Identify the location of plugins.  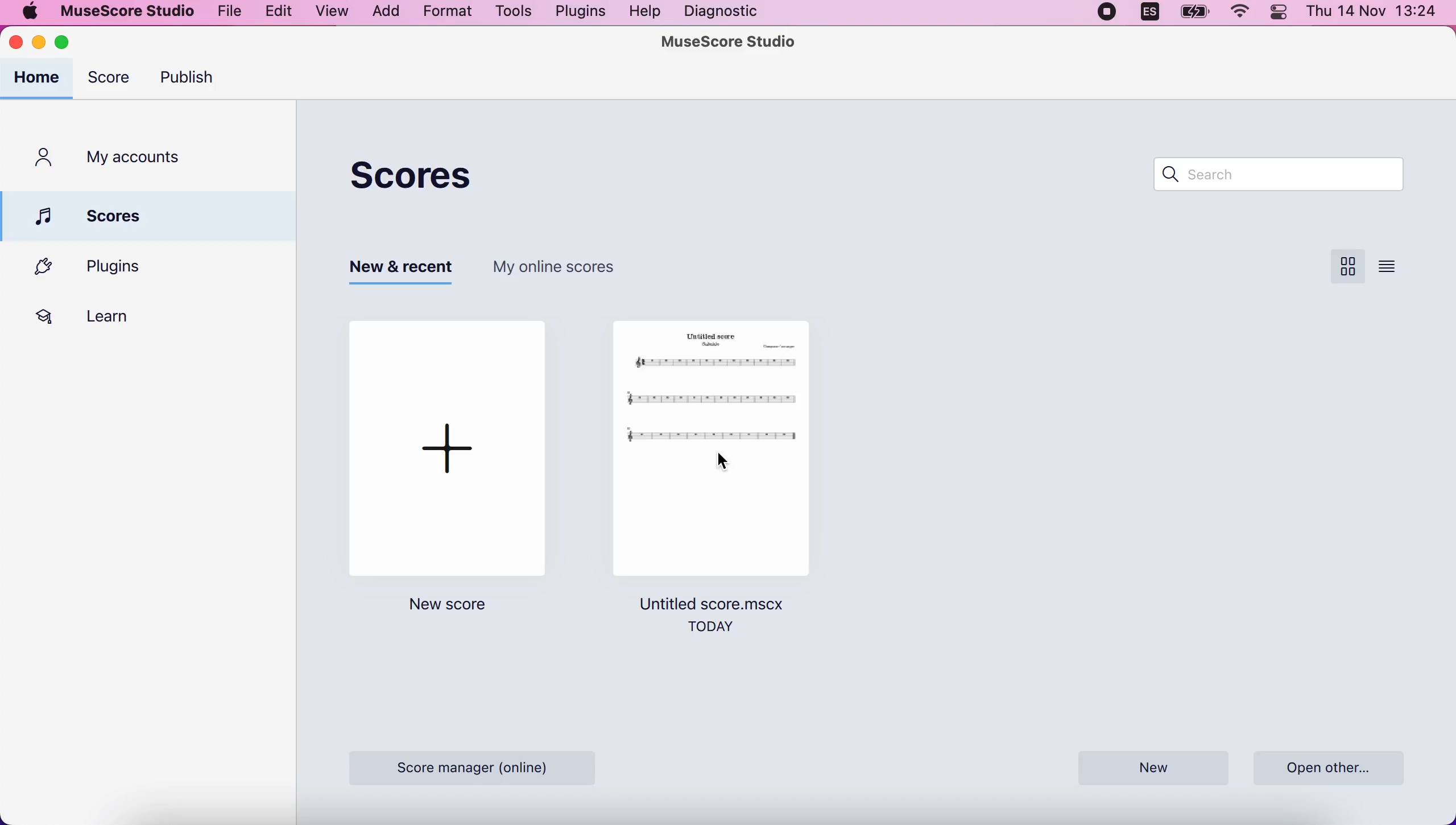
(134, 268).